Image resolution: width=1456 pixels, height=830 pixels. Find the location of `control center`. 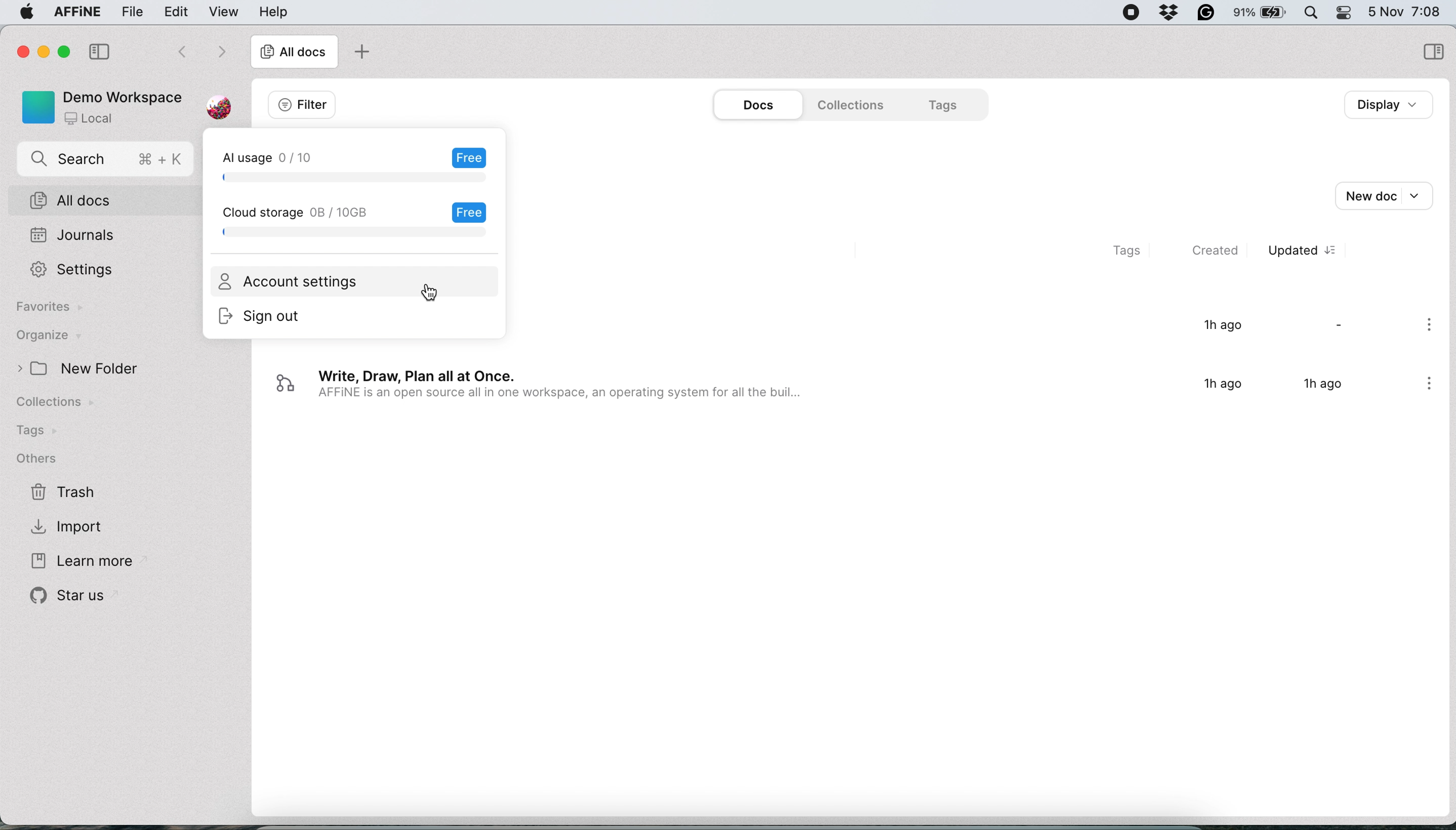

control center is located at coordinates (1348, 14).